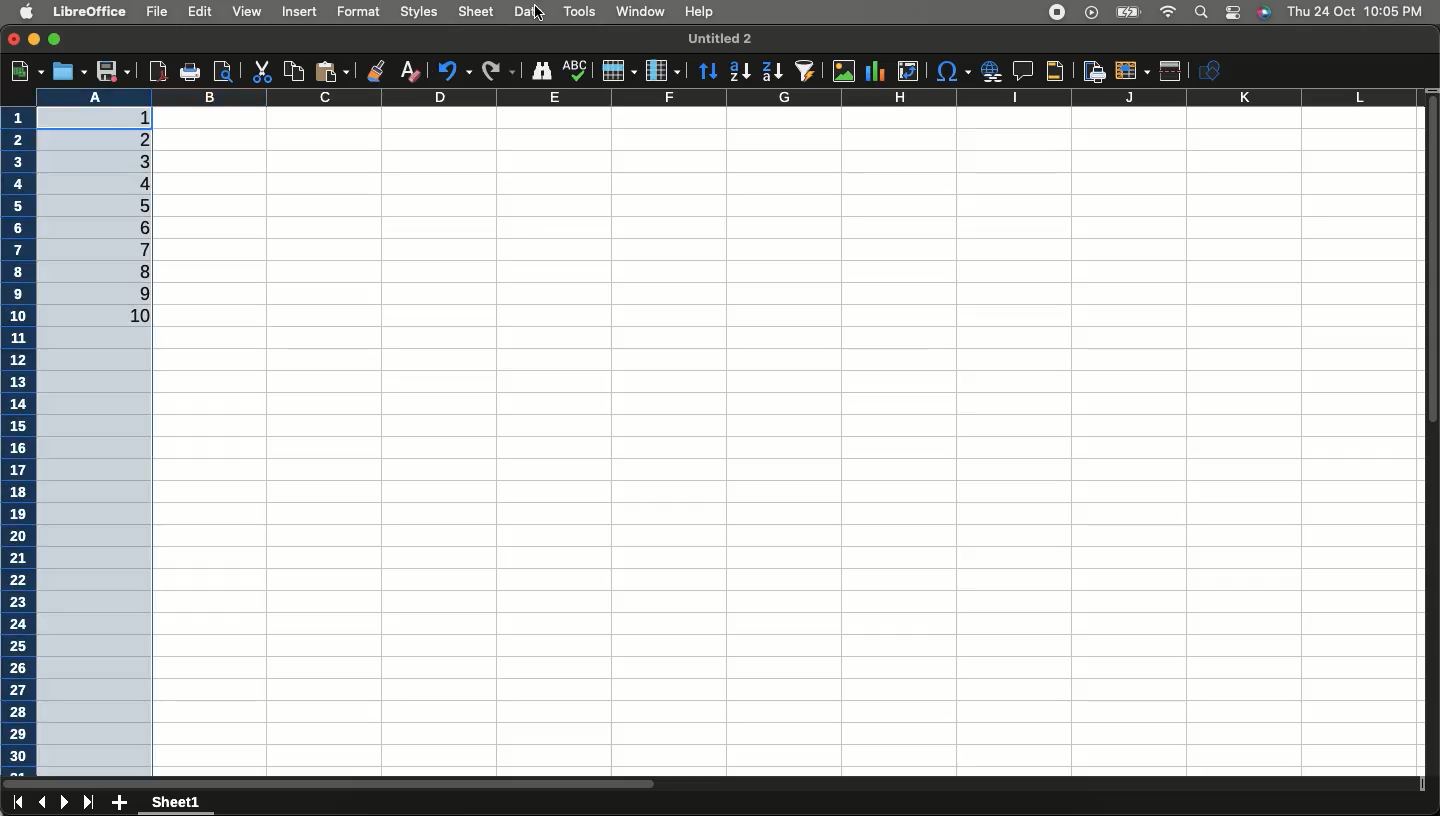  What do you see at coordinates (908, 71) in the screenshot?
I see `Insert or edit pivot table` at bounding box center [908, 71].